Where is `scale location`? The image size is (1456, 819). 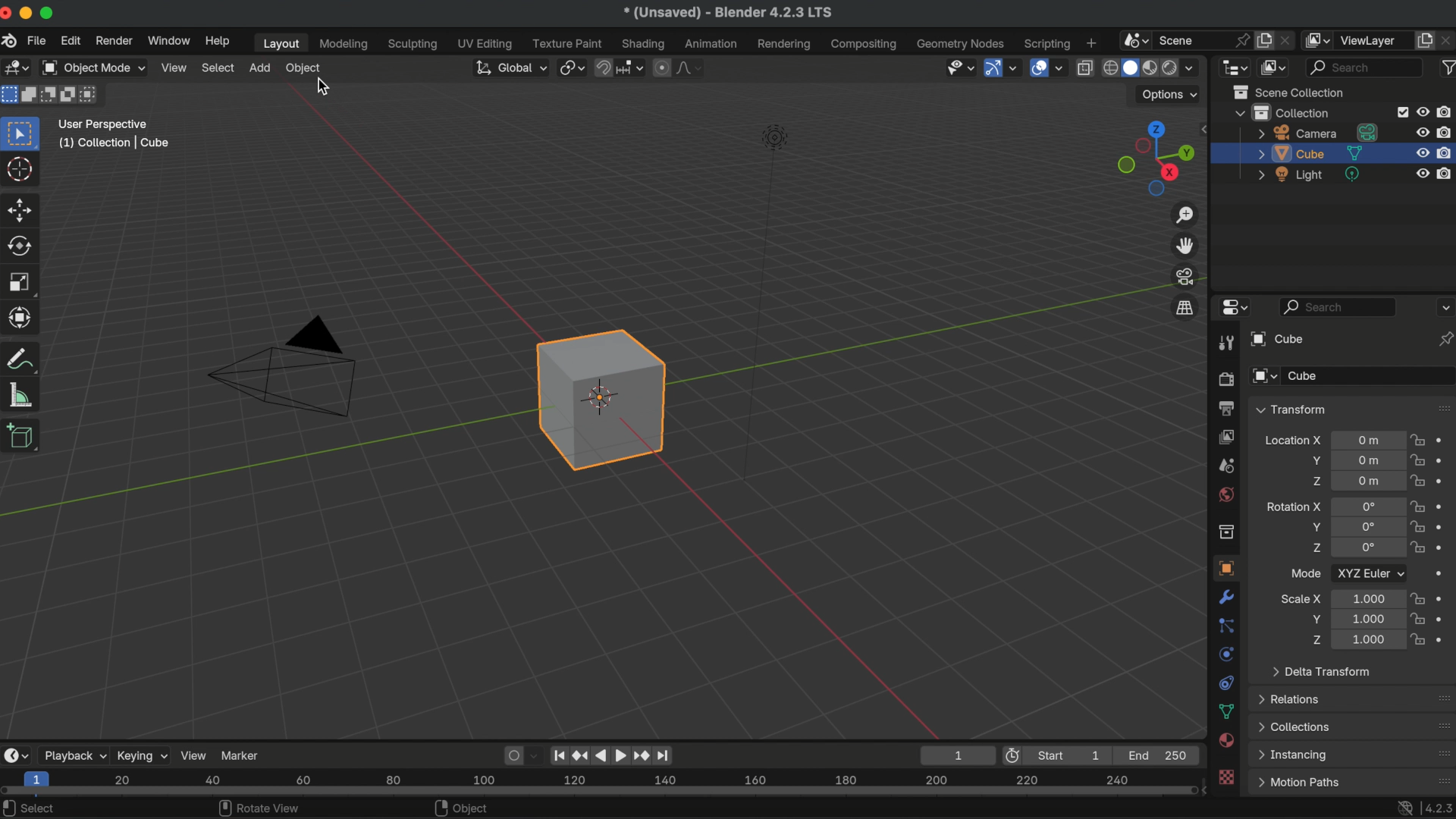
scale location is located at coordinates (1366, 640).